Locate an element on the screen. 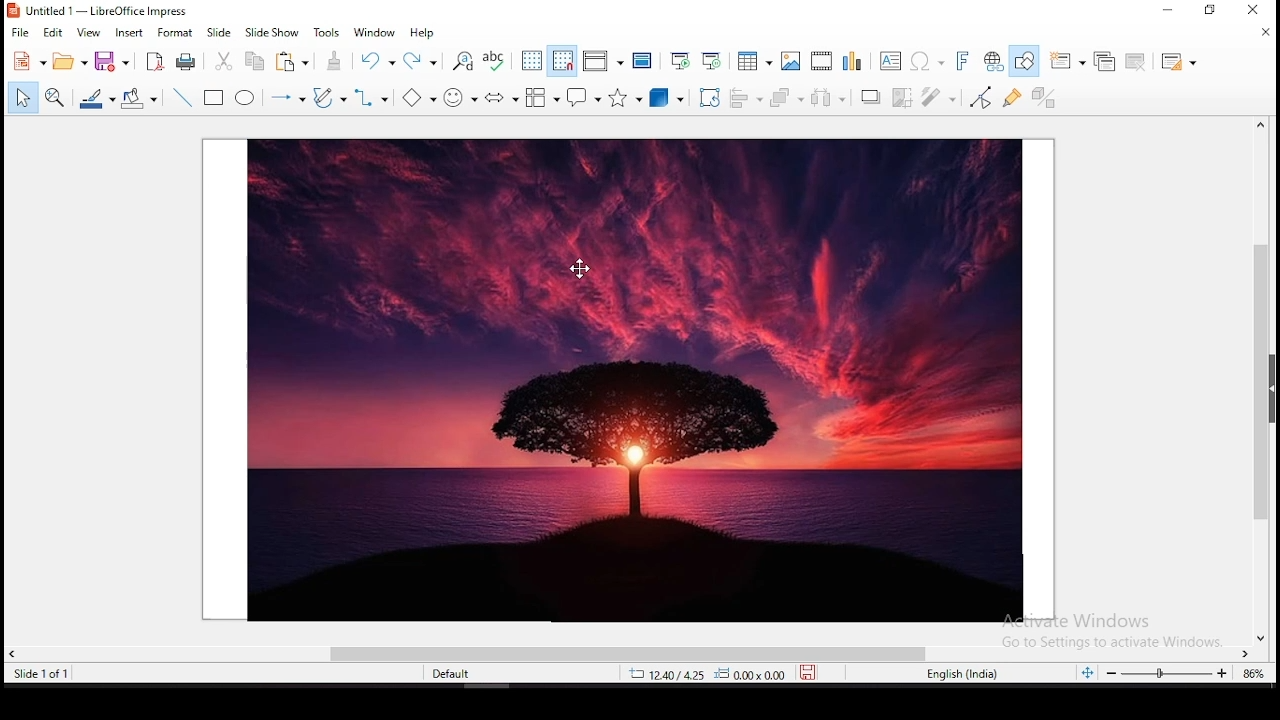 This screenshot has height=720, width=1280. restore is located at coordinates (1212, 12).